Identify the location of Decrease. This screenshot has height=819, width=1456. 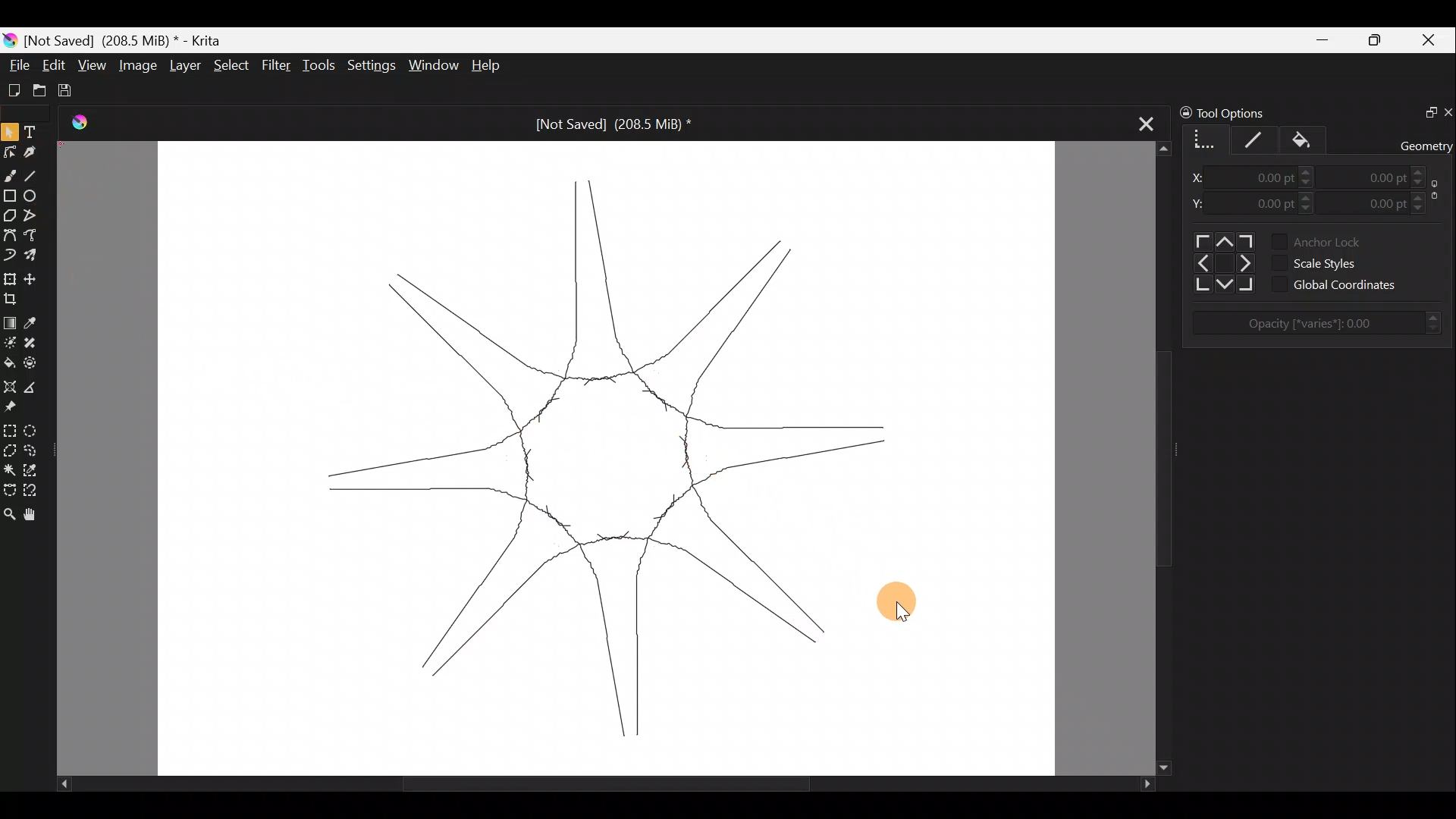
(1421, 209).